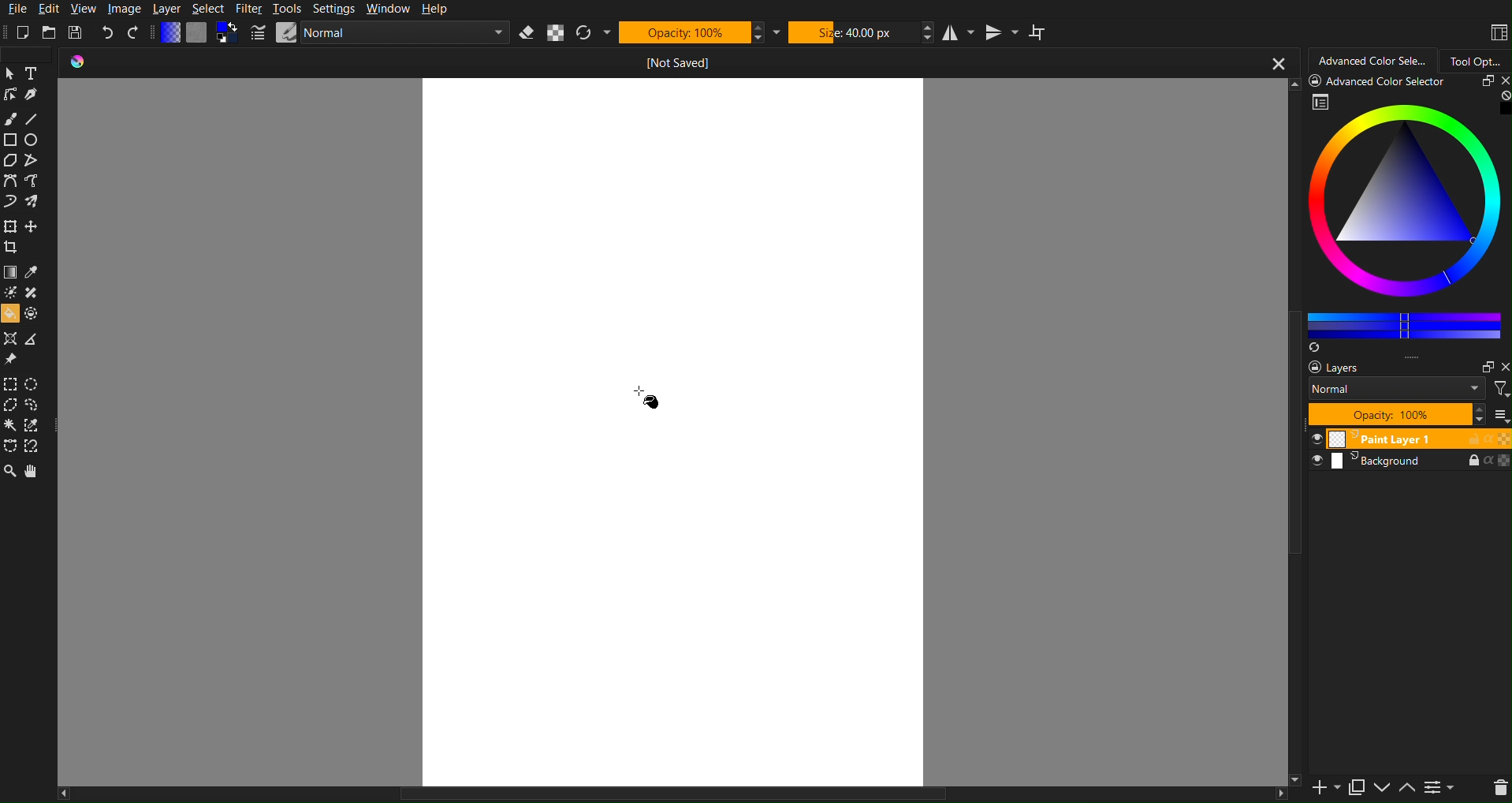 The height and width of the screenshot is (803, 1512). What do you see at coordinates (35, 472) in the screenshot?
I see `Pan` at bounding box center [35, 472].